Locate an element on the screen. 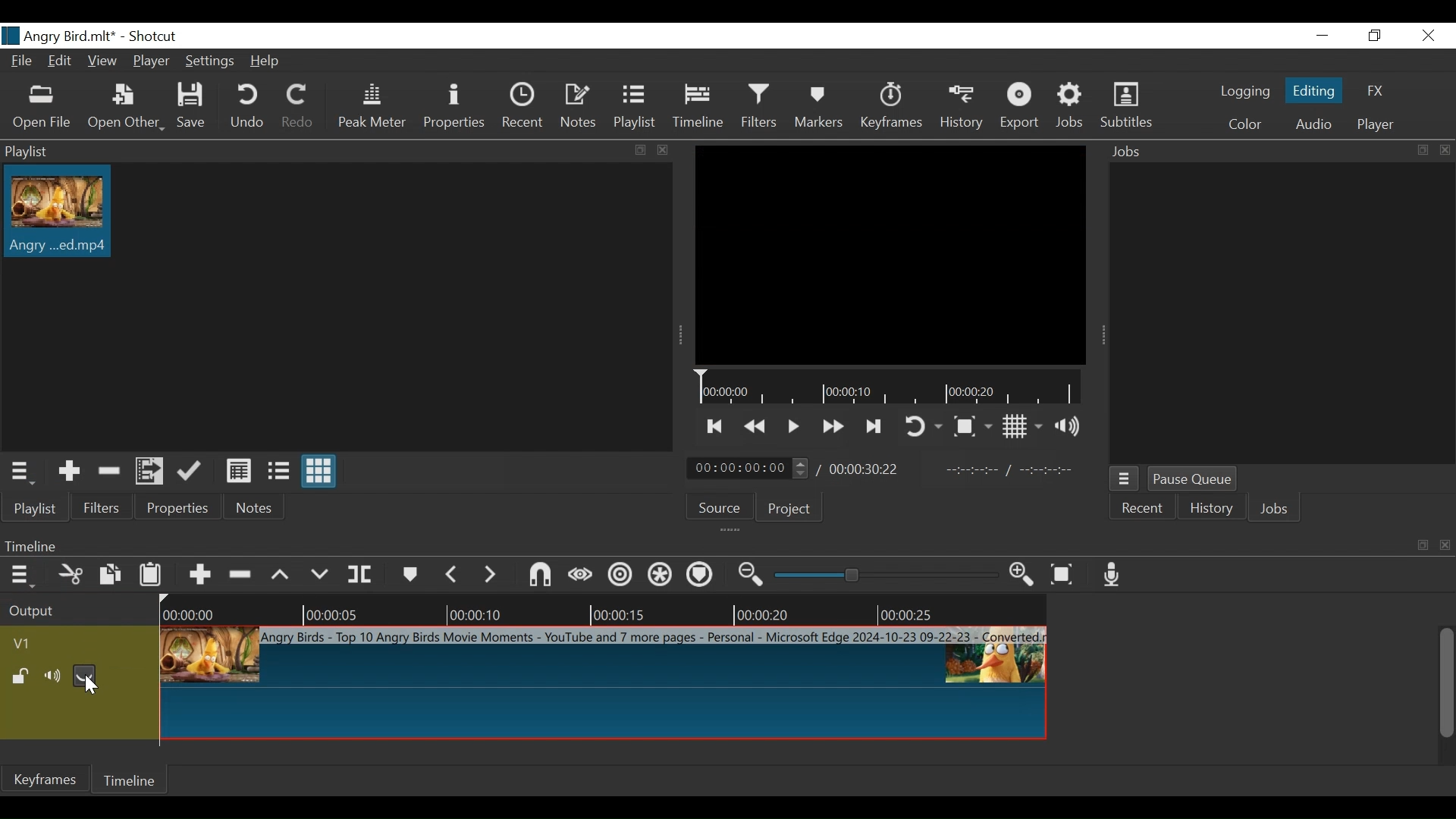 The width and height of the screenshot is (1456, 819). Playlist is located at coordinates (35, 507).